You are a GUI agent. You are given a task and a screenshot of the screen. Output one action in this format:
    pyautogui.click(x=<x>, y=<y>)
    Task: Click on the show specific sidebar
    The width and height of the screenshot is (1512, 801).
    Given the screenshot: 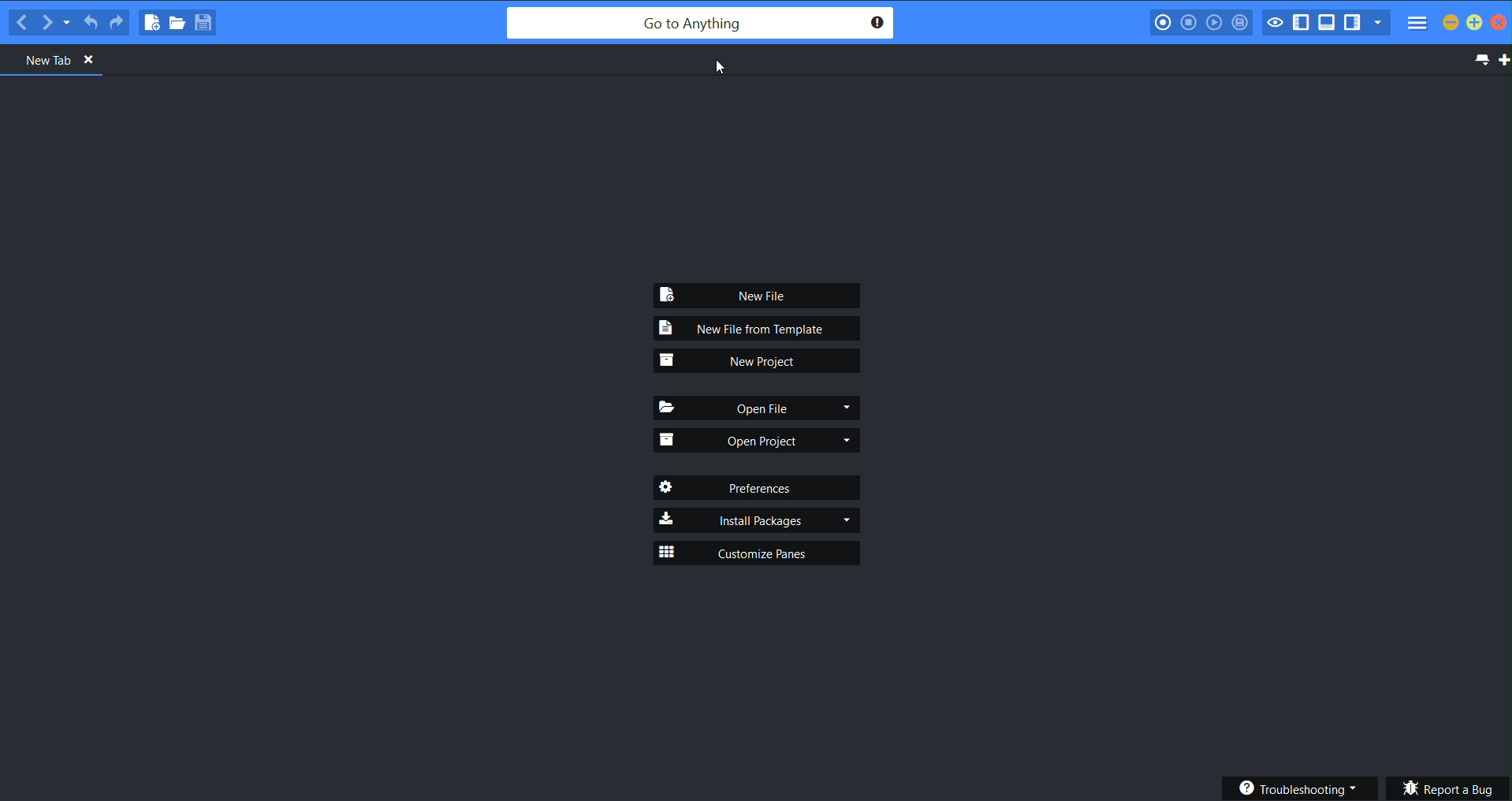 What is the action you would take?
    pyautogui.click(x=1381, y=22)
    